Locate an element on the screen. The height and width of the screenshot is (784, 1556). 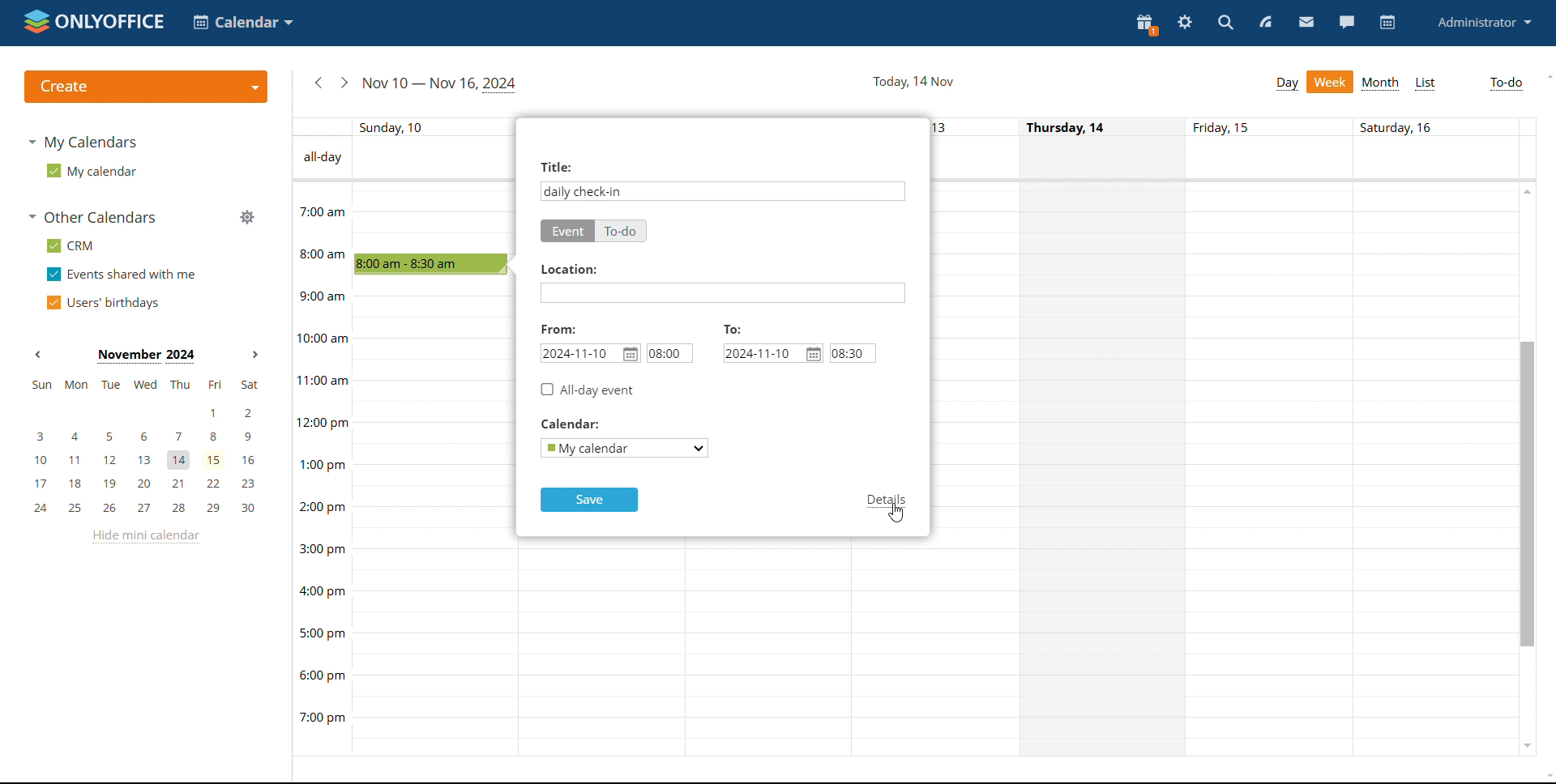
start date is located at coordinates (591, 353).